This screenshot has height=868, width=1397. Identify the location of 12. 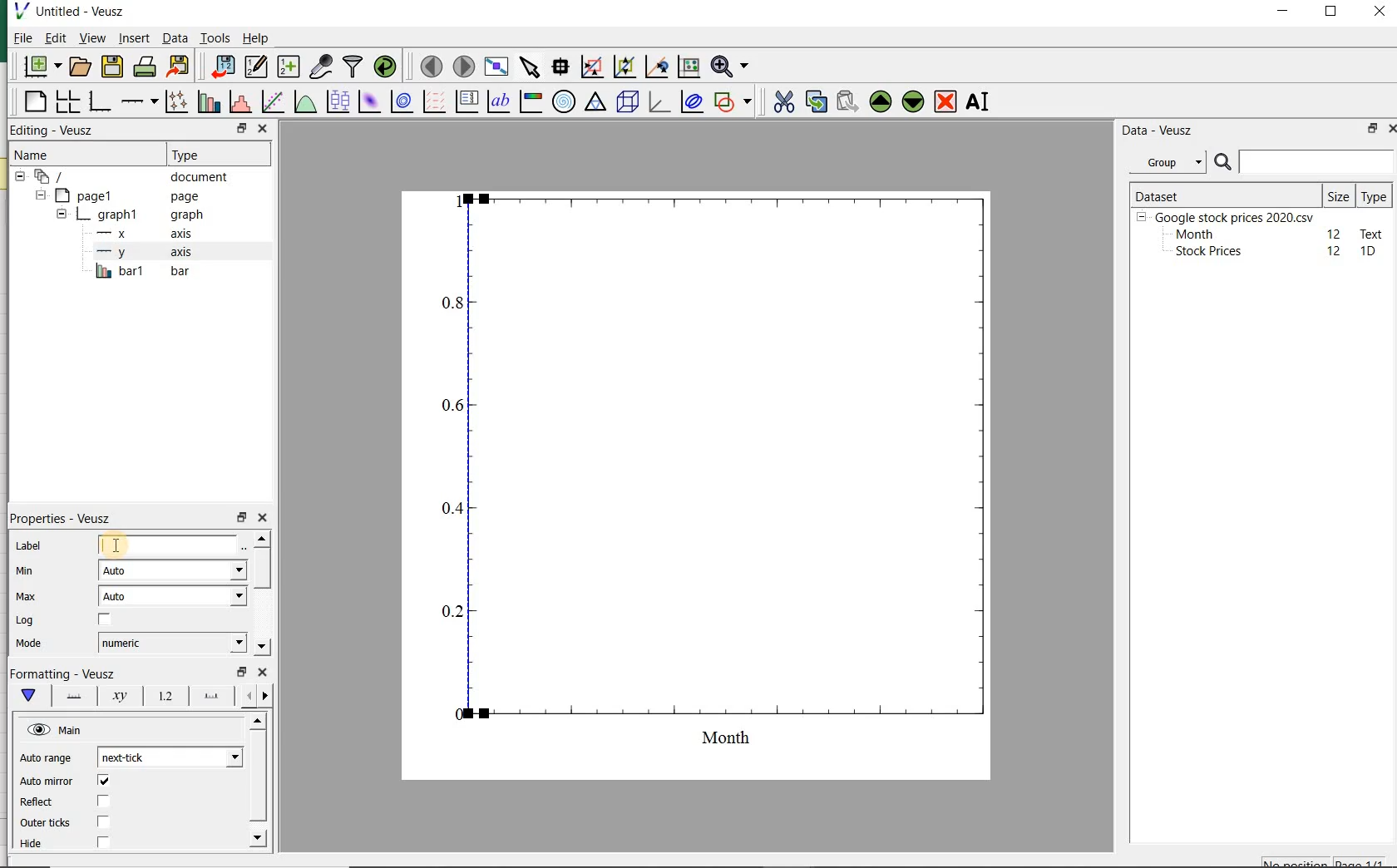
(1335, 233).